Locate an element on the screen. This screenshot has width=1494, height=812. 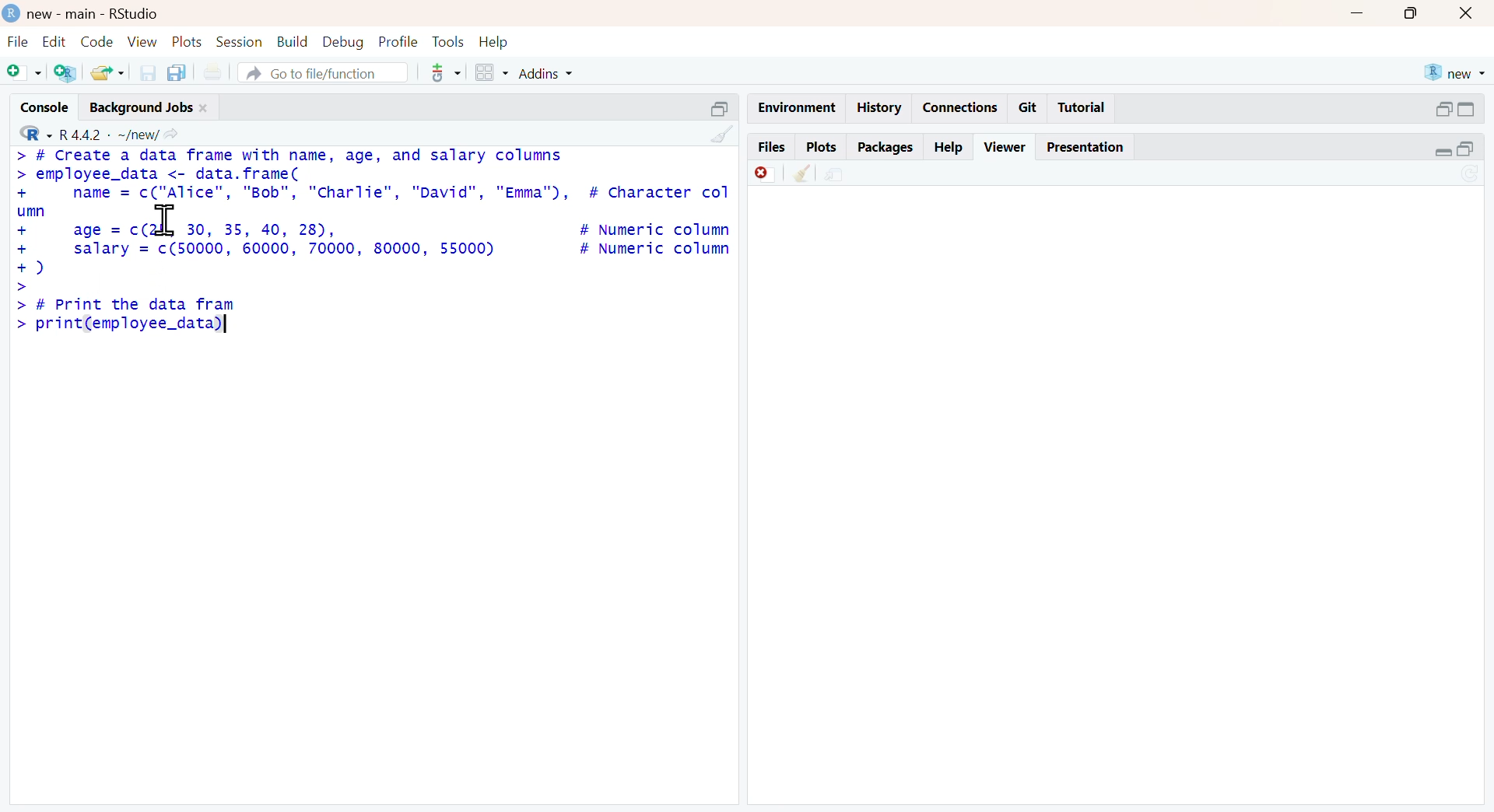
Background Jobs is located at coordinates (151, 108).